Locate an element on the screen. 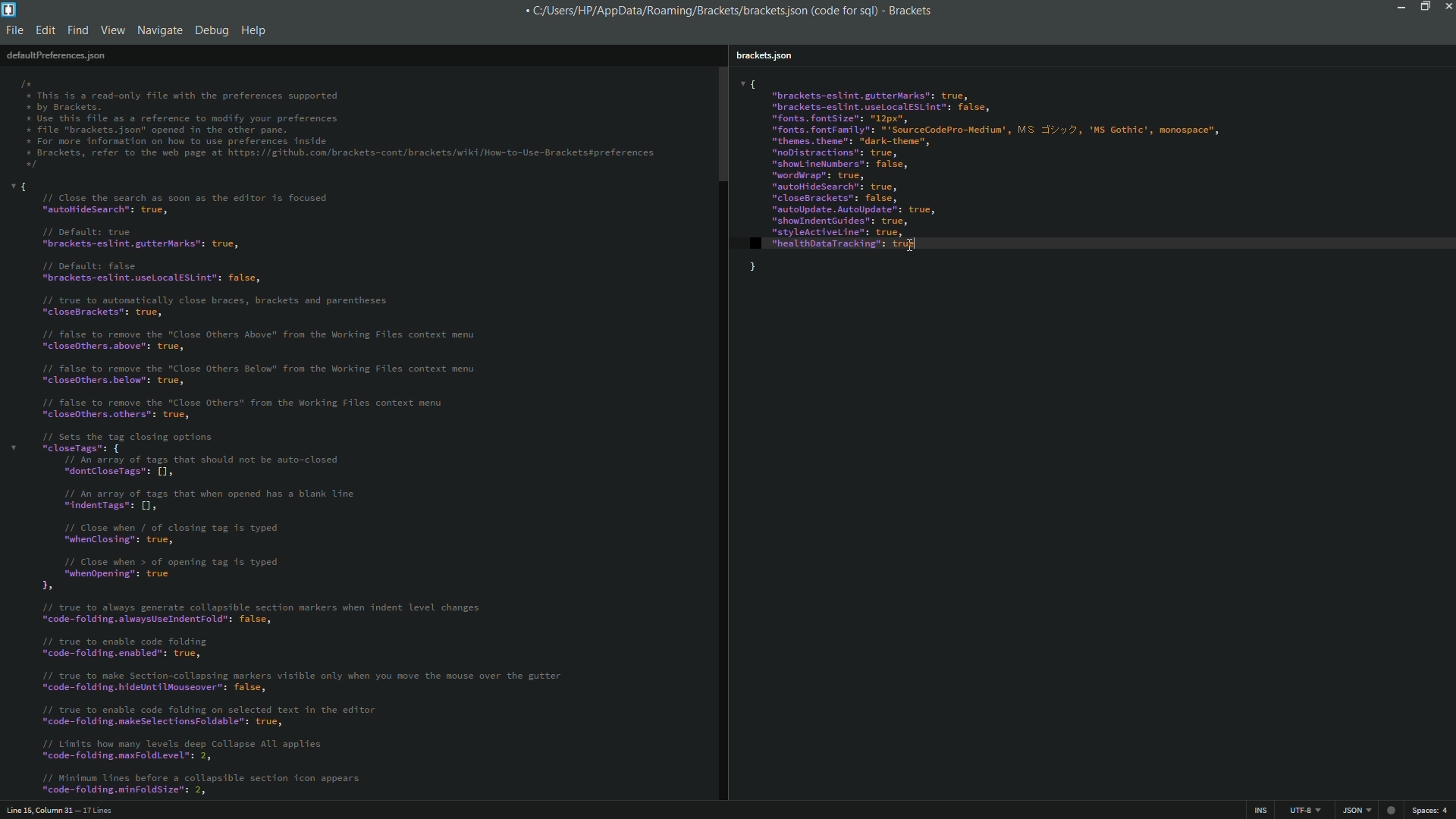 The image size is (1456, 819). View menu is located at coordinates (112, 32).